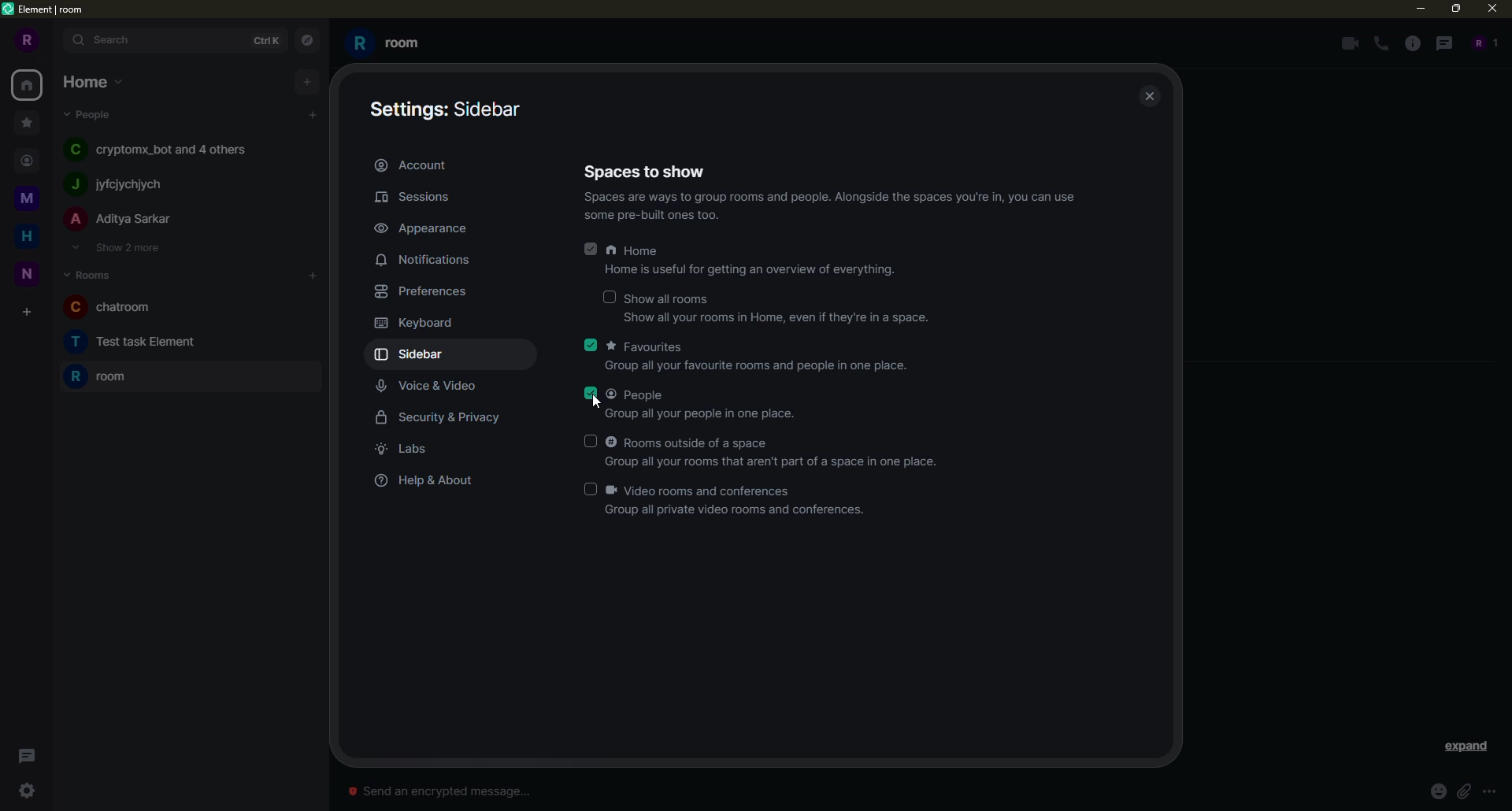 The image size is (1512, 811). What do you see at coordinates (746, 369) in the screenshot?
I see `‘Group all your favourite rooms and people in one place.` at bounding box center [746, 369].